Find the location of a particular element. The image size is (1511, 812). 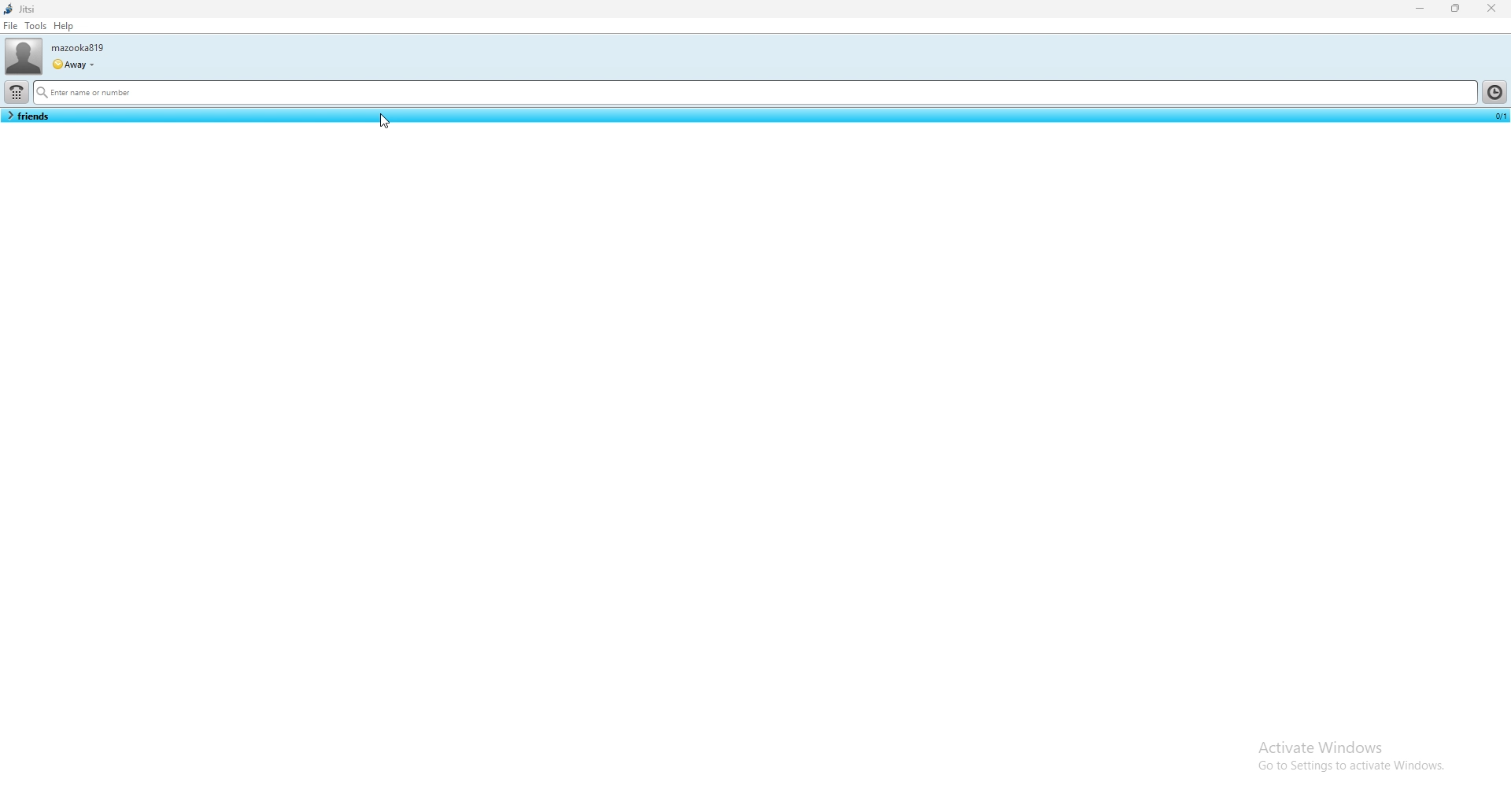

cursor is located at coordinates (386, 121).